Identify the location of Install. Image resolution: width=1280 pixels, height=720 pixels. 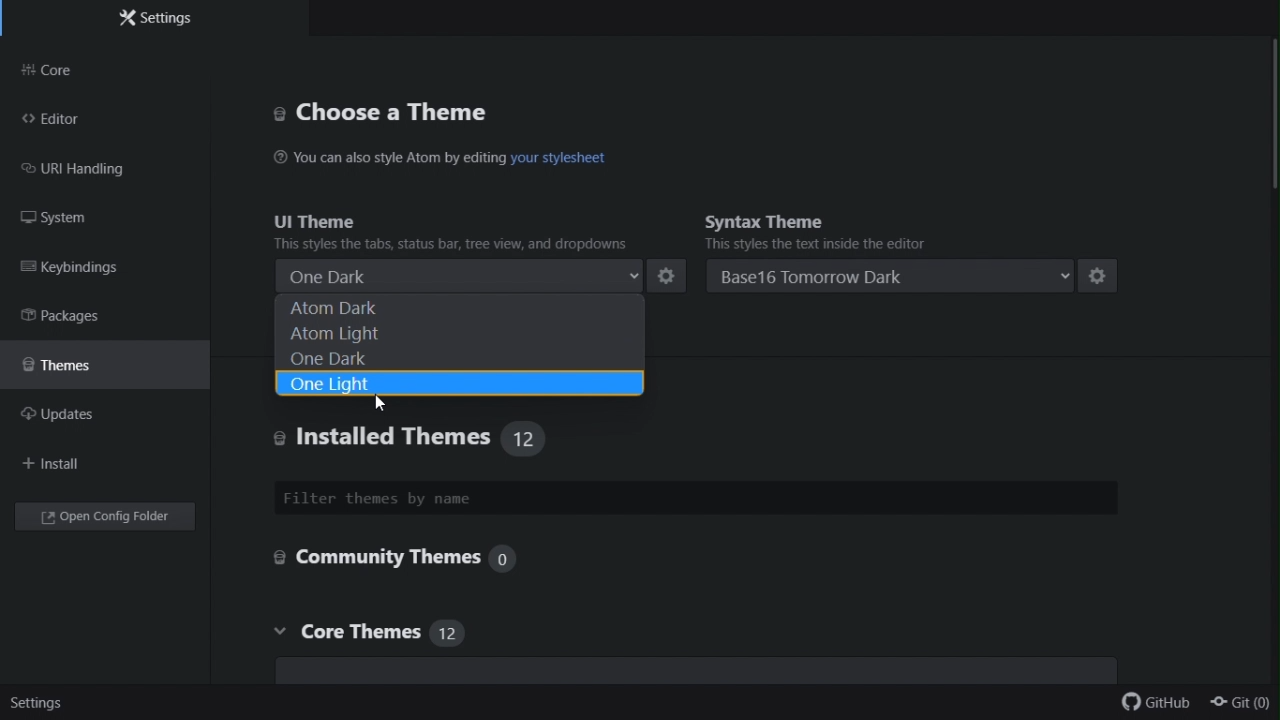
(56, 464).